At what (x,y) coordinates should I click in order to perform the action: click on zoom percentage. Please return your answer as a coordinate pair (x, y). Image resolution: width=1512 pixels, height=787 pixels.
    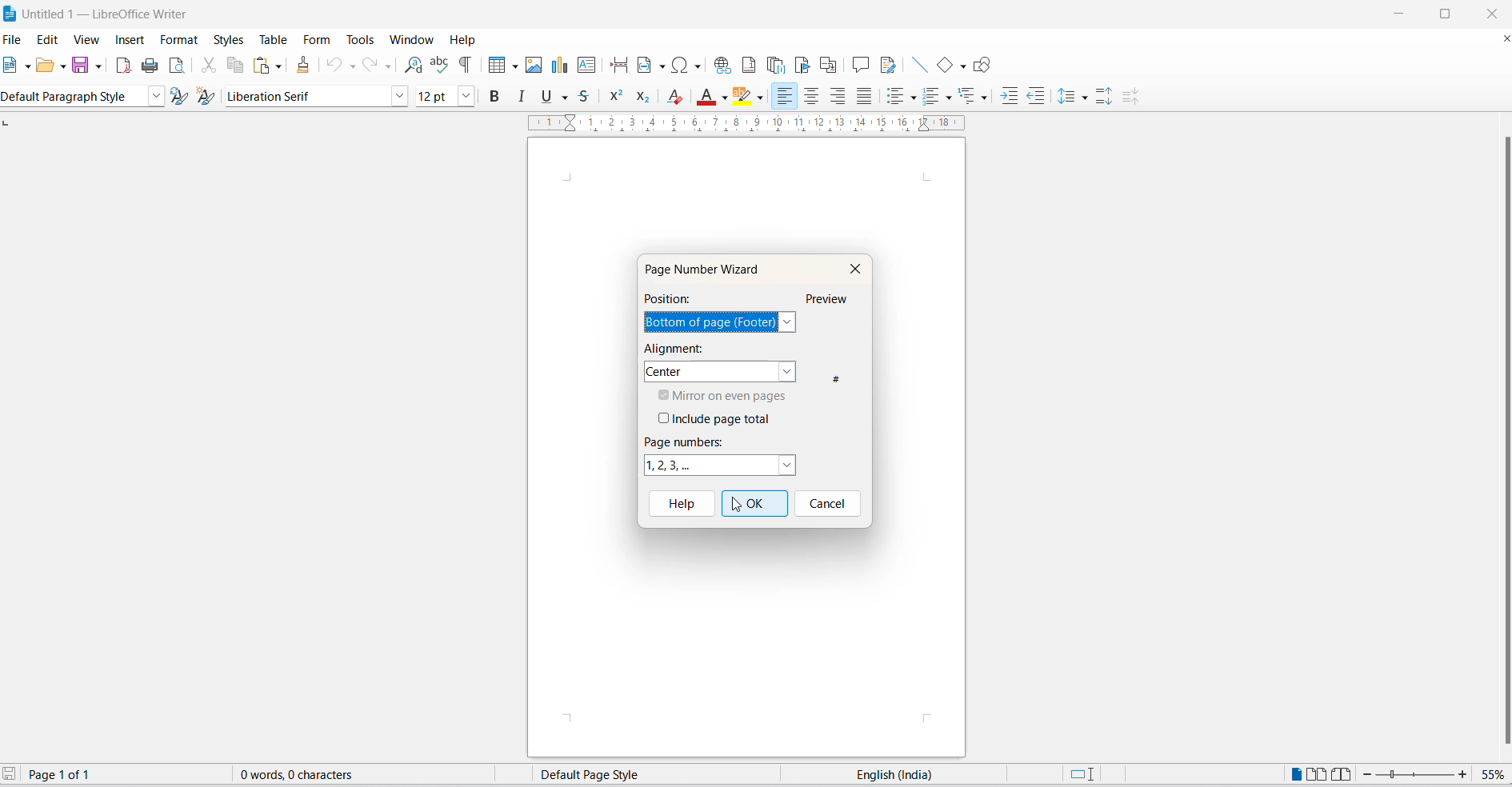
    Looking at the image, I should click on (1492, 775).